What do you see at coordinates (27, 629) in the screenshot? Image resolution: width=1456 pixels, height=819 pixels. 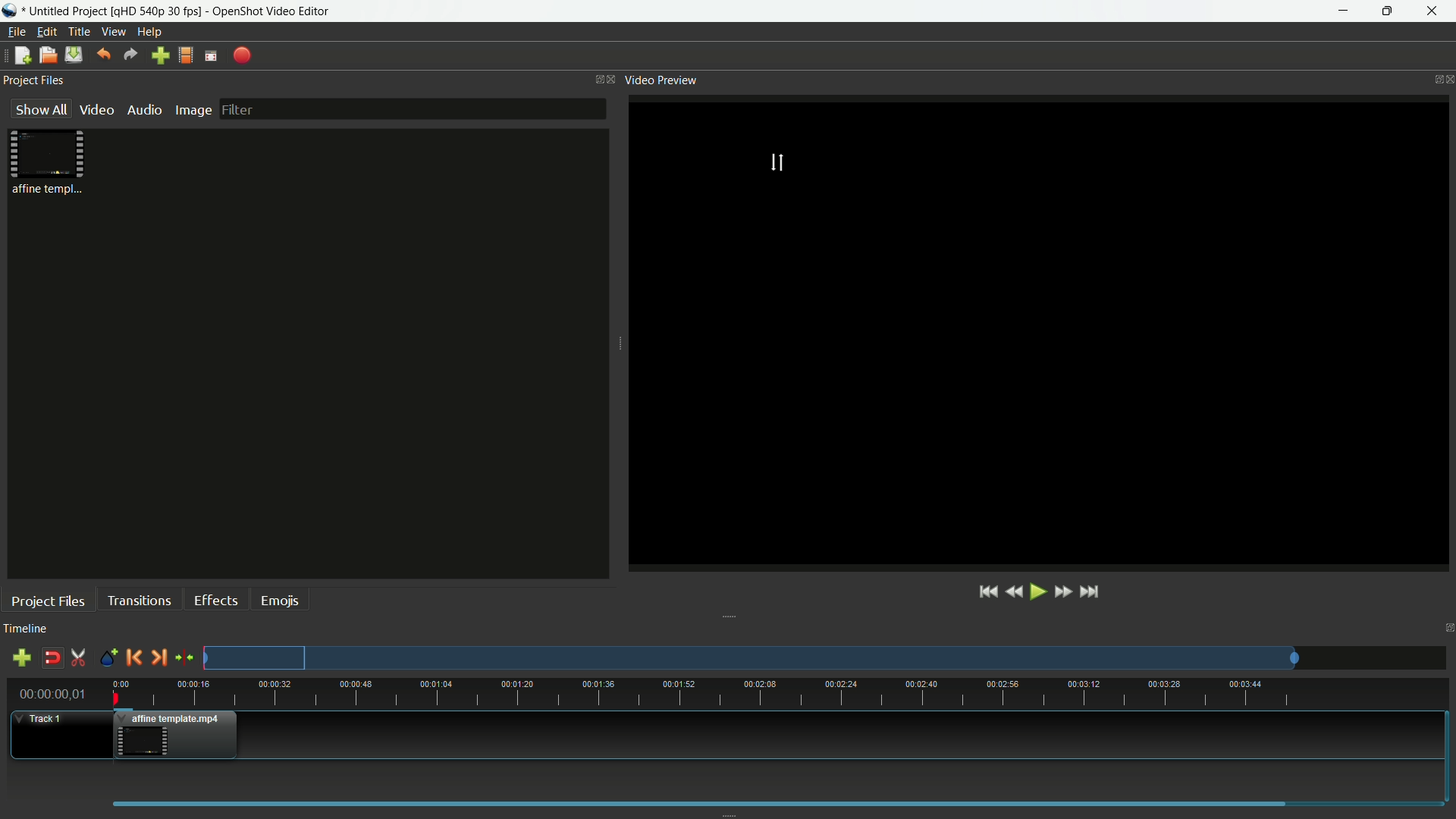 I see `timeline` at bounding box center [27, 629].